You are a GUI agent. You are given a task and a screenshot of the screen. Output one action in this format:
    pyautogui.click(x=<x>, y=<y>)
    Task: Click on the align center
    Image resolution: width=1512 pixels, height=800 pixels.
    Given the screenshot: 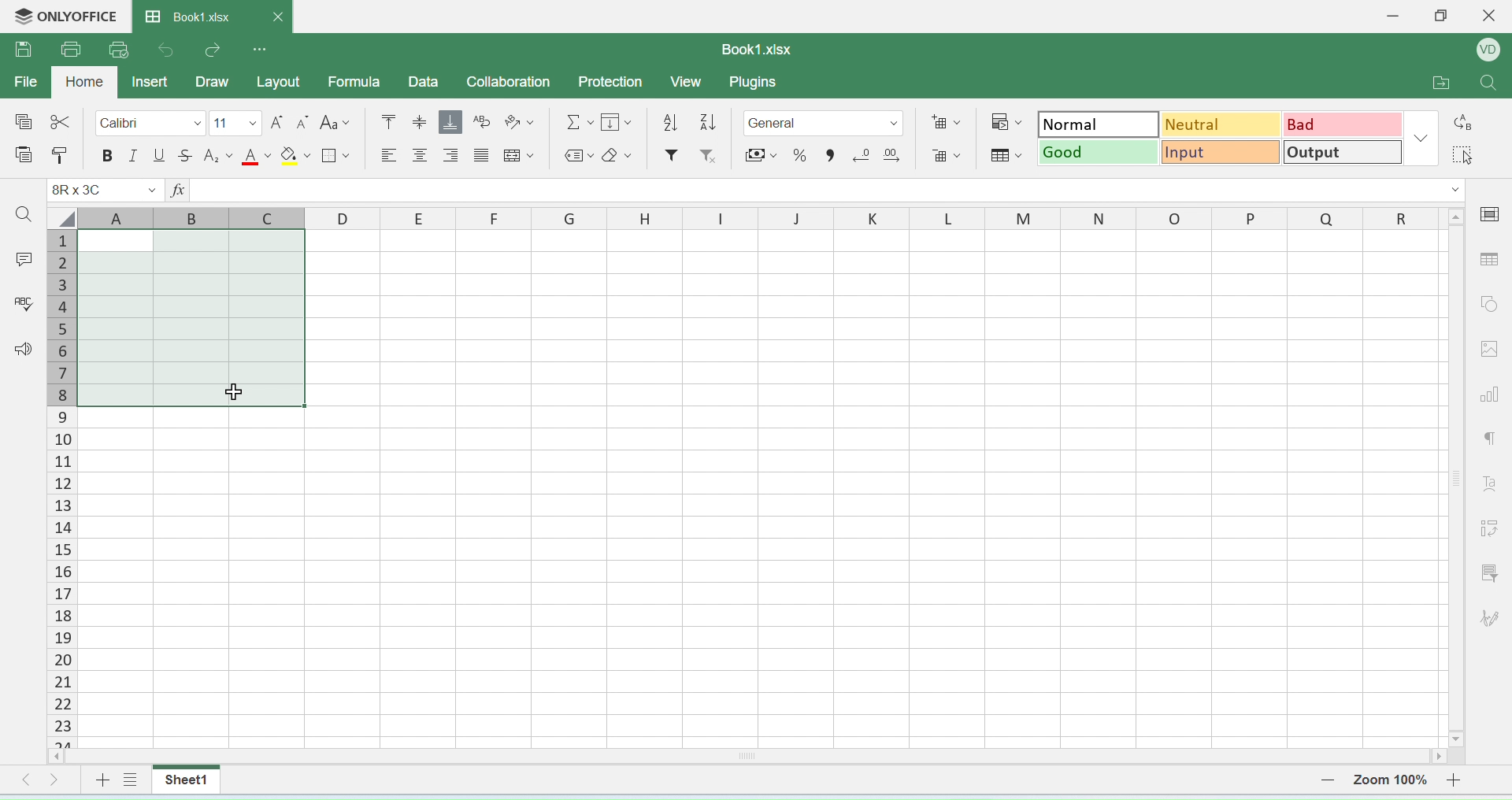 What is the action you would take?
    pyautogui.click(x=421, y=157)
    